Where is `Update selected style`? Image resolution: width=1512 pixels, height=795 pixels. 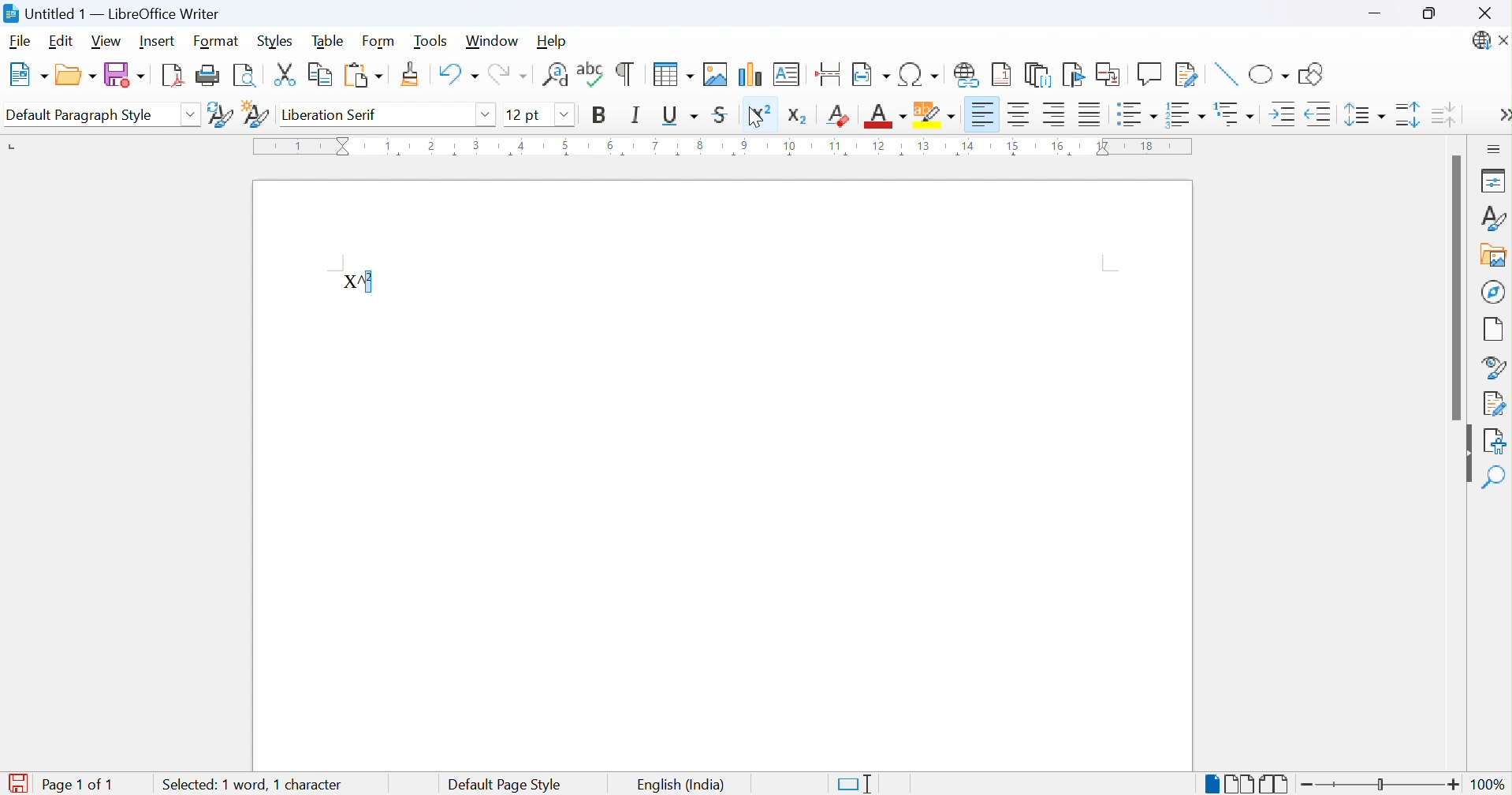
Update selected style is located at coordinates (220, 114).